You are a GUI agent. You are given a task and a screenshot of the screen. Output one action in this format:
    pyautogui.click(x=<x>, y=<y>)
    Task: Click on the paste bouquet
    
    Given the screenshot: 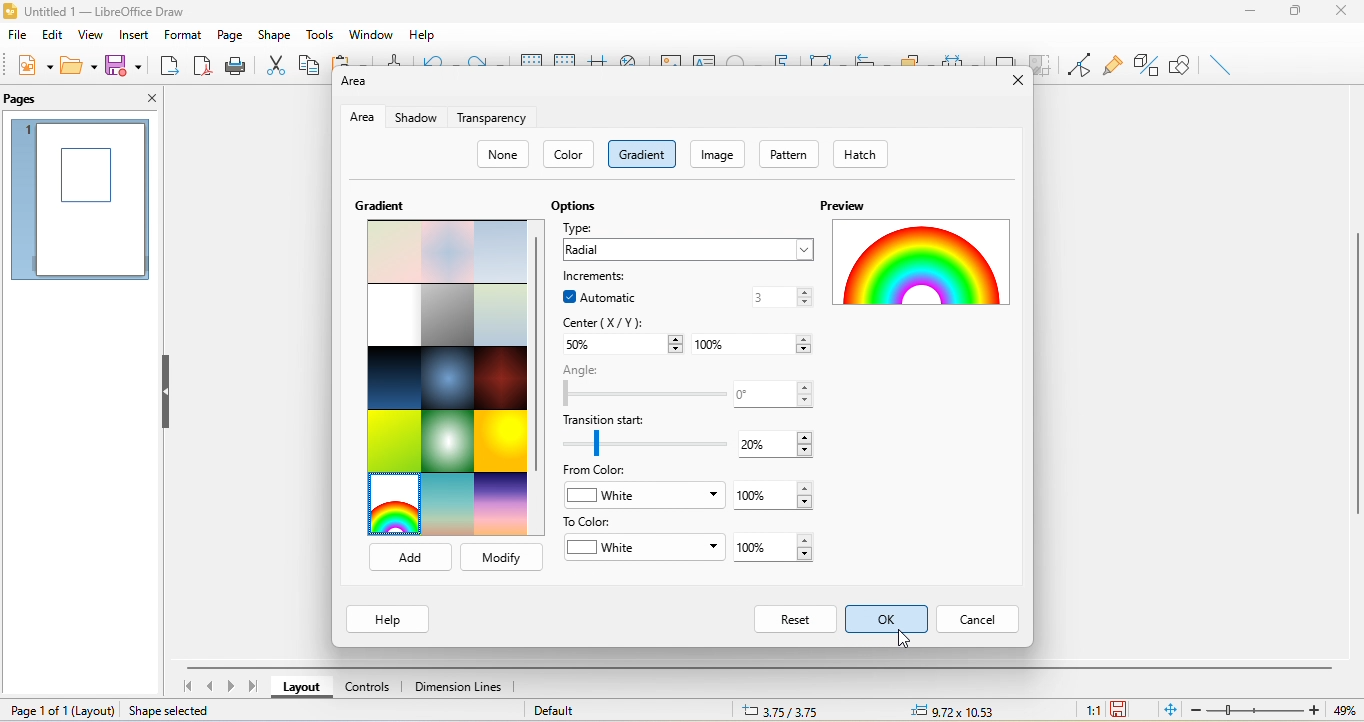 What is the action you would take?
    pyautogui.click(x=389, y=252)
    